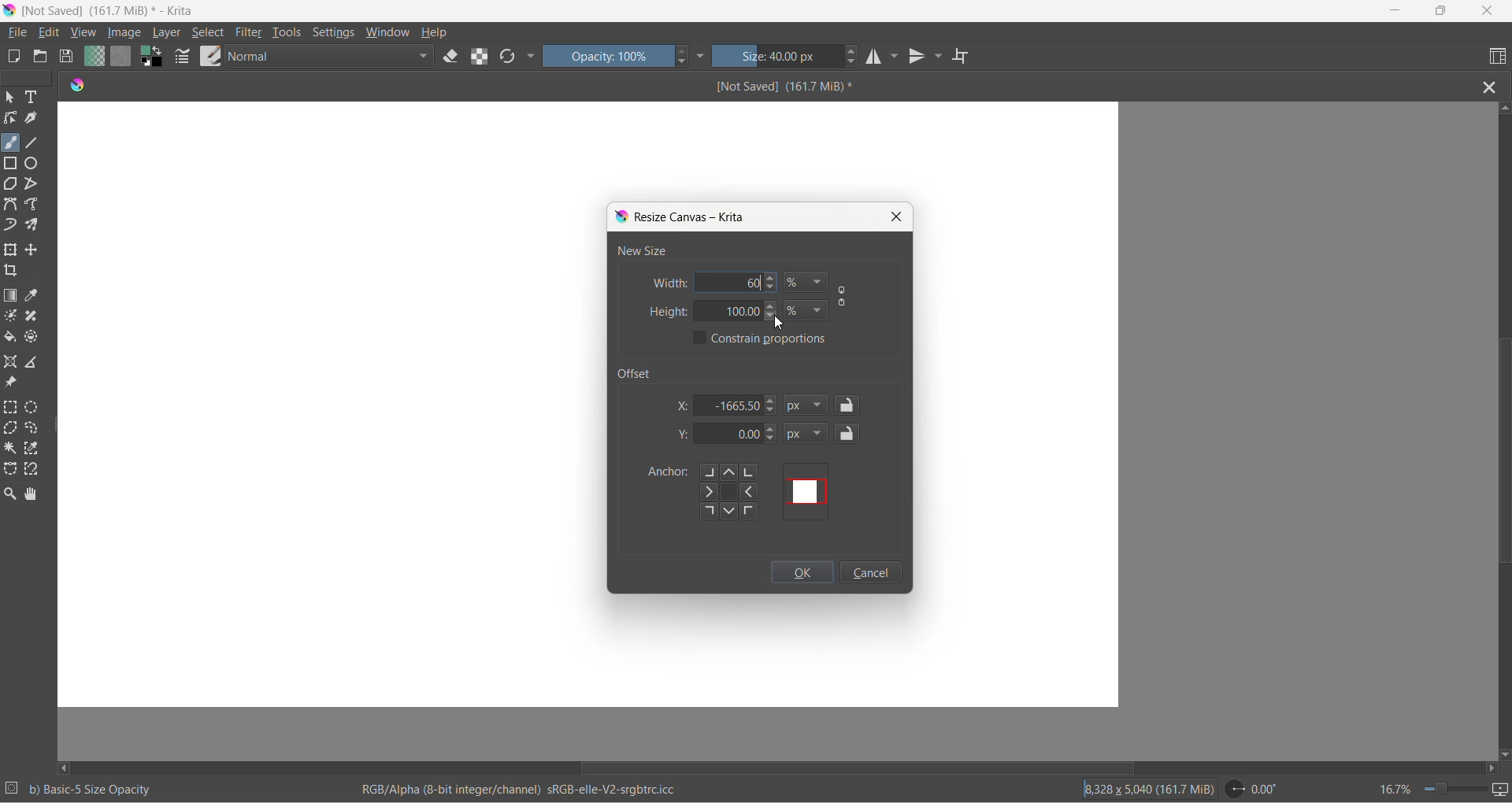  I want to click on decrement width, so click(776, 288).